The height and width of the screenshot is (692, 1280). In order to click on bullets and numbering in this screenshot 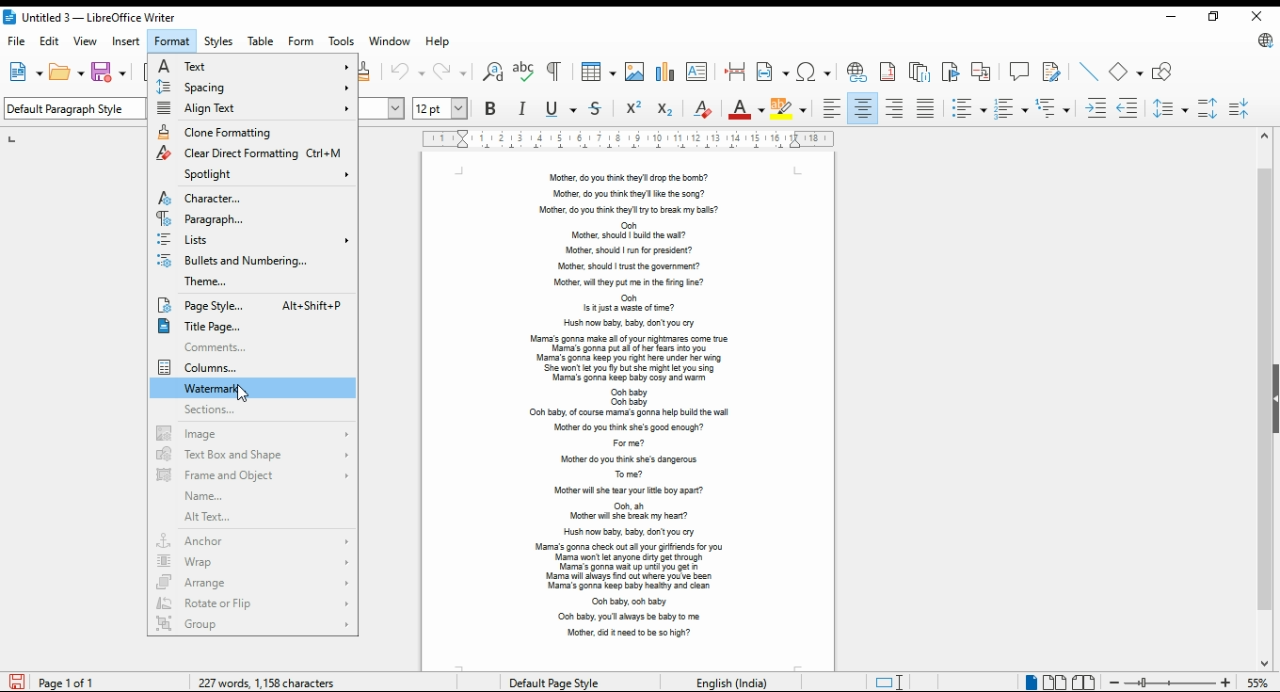, I will do `click(256, 260)`.